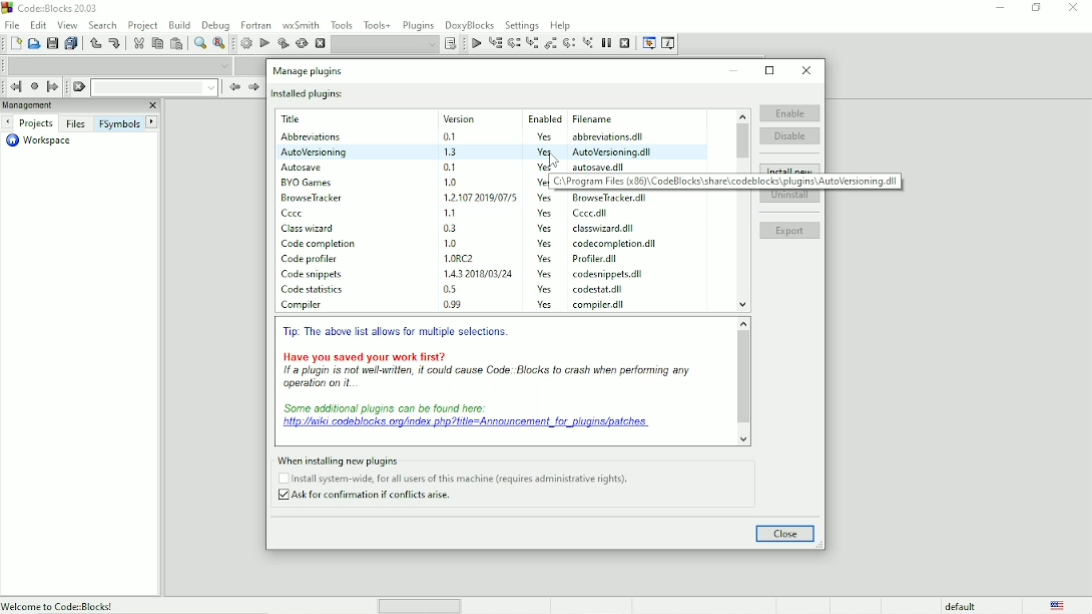 This screenshot has height=614, width=1092. What do you see at coordinates (304, 306) in the screenshot?
I see `Compiler` at bounding box center [304, 306].